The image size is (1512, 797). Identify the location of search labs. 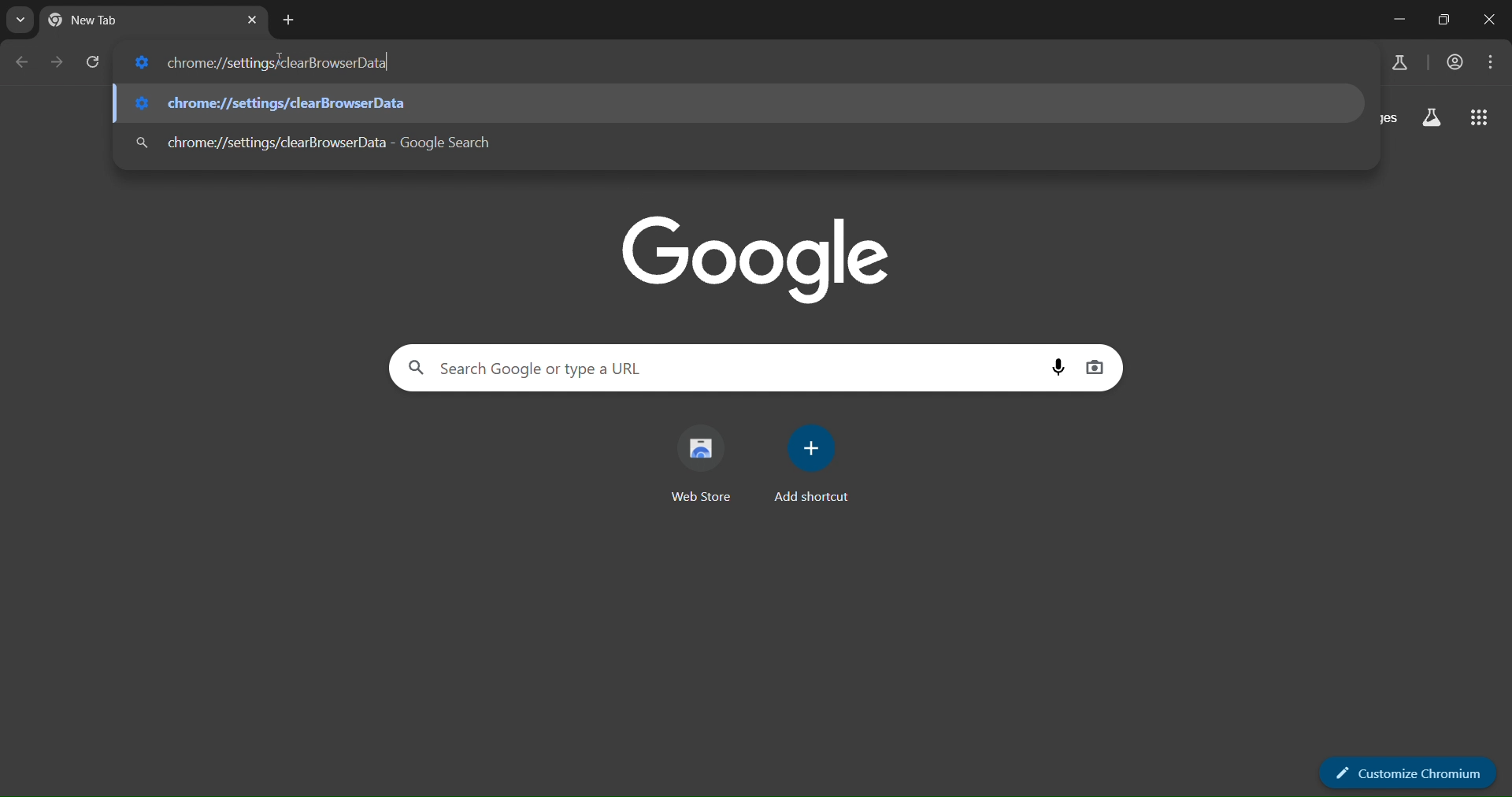
(1430, 118).